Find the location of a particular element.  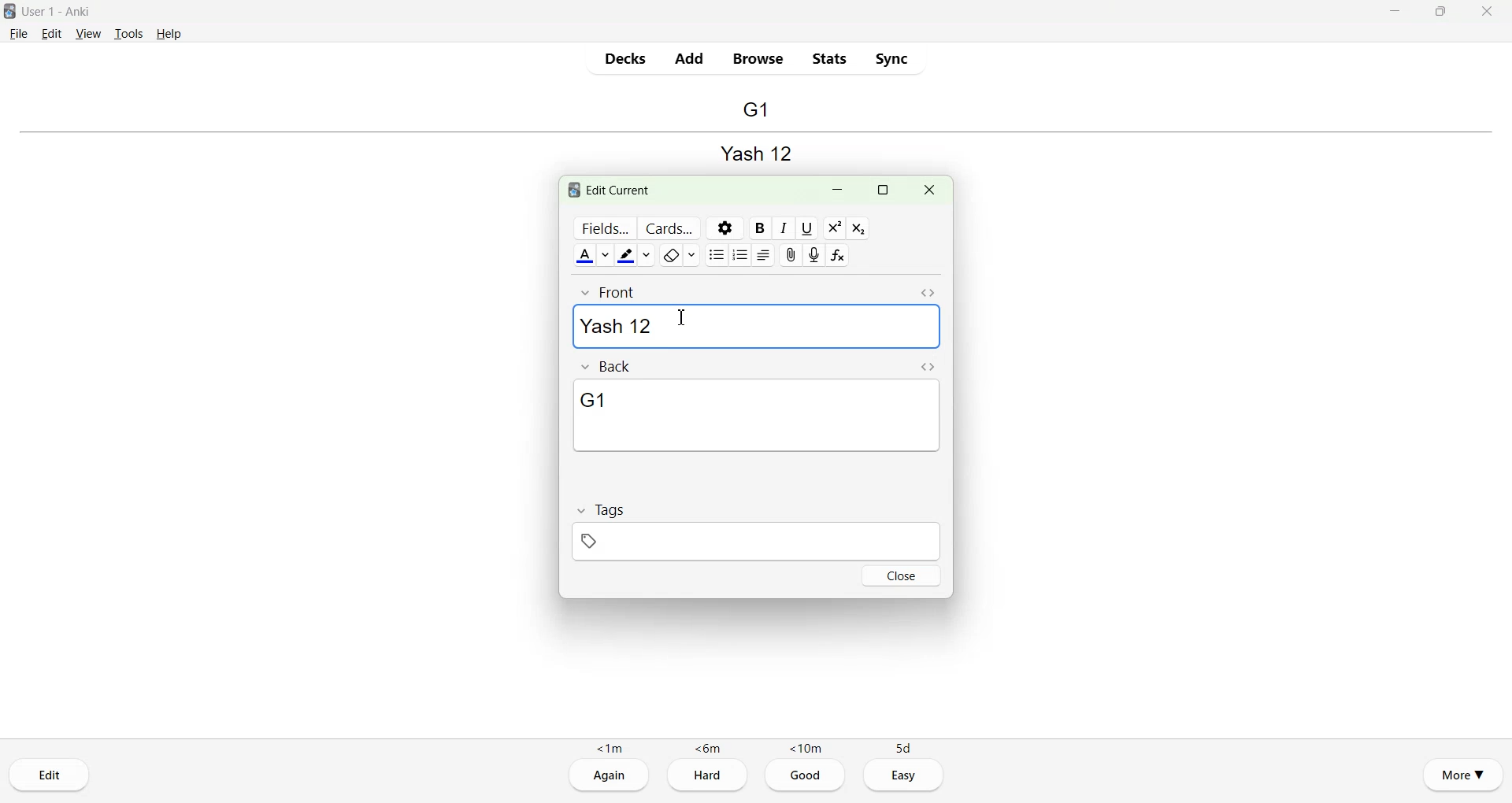

Alignment is located at coordinates (763, 255).